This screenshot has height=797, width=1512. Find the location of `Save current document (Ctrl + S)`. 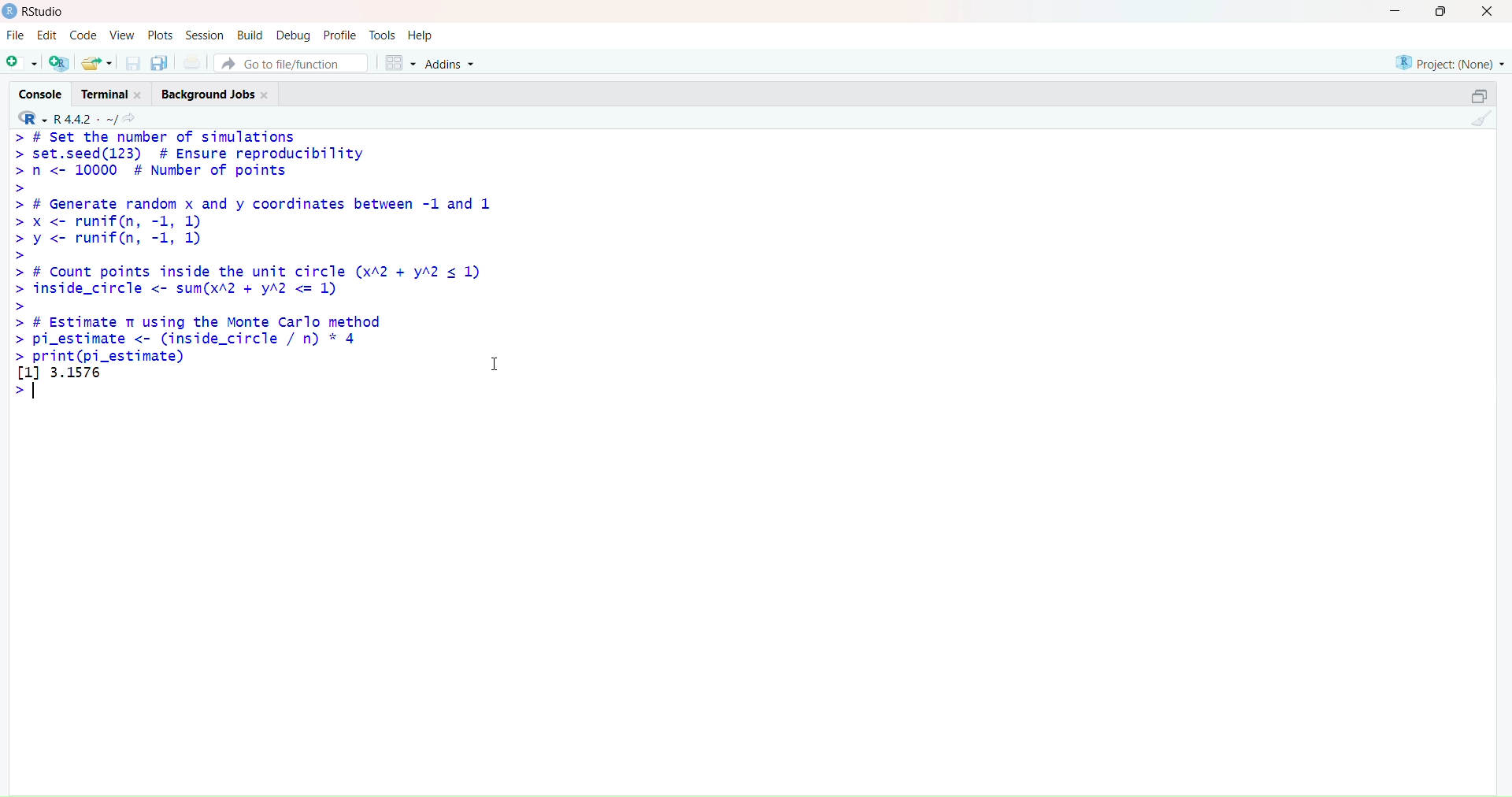

Save current document (Ctrl + S) is located at coordinates (131, 61).